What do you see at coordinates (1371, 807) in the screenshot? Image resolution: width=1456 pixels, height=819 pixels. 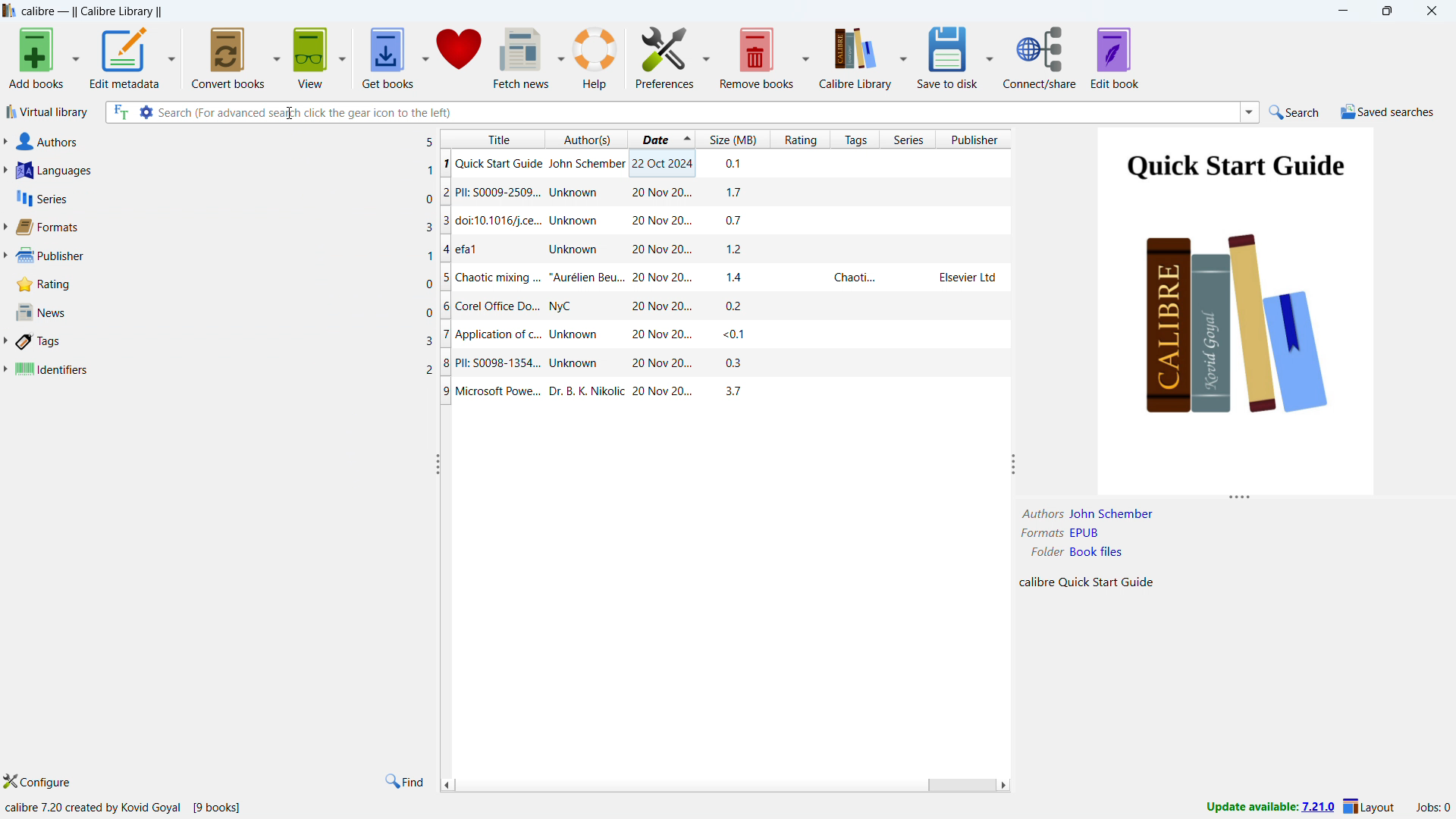 I see `layout` at bounding box center [1371, 807].